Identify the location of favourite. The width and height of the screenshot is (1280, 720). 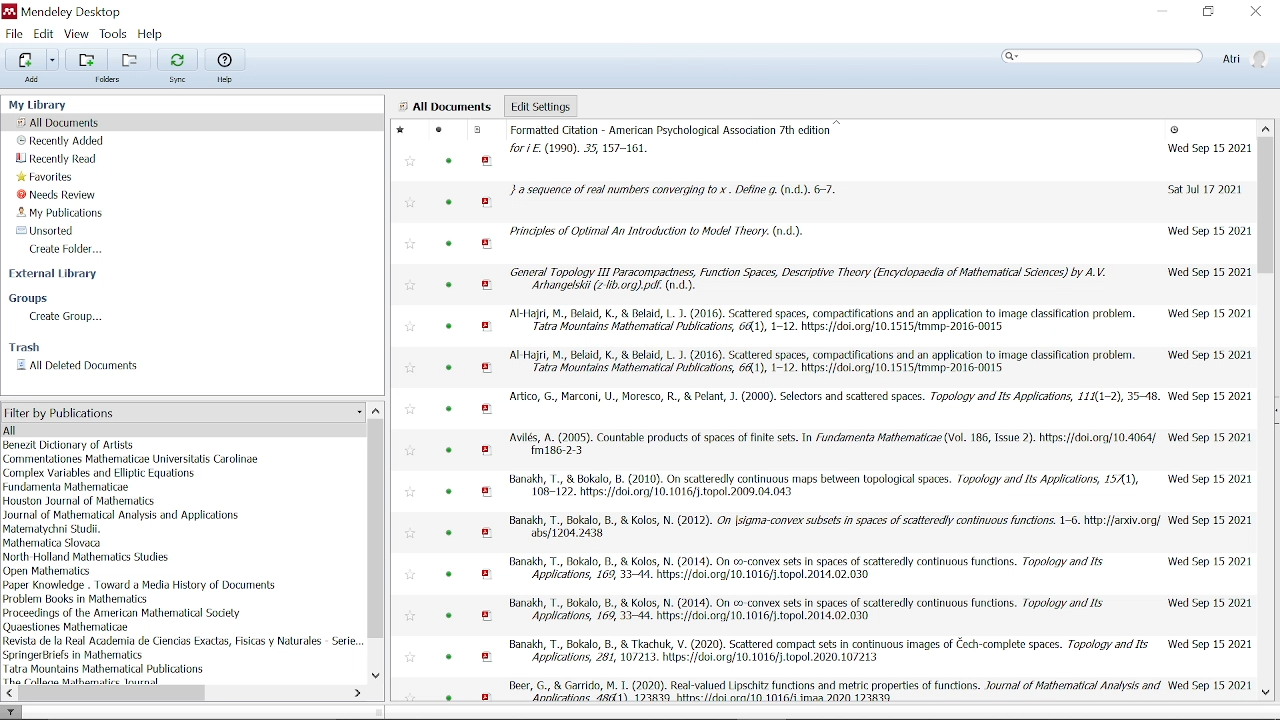
(408, 657).